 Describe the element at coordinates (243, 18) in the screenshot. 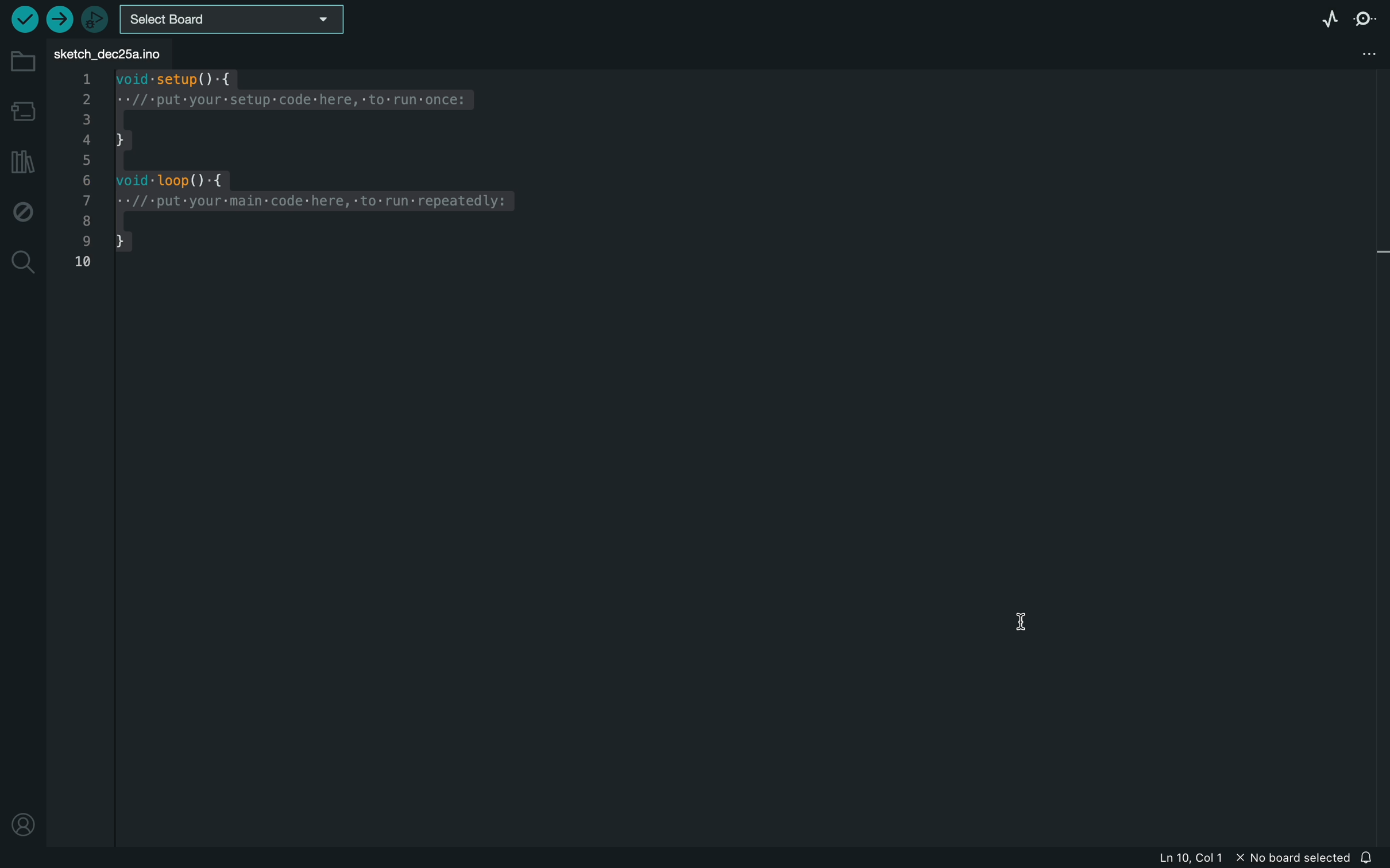

I see `board  selecter` at that location.